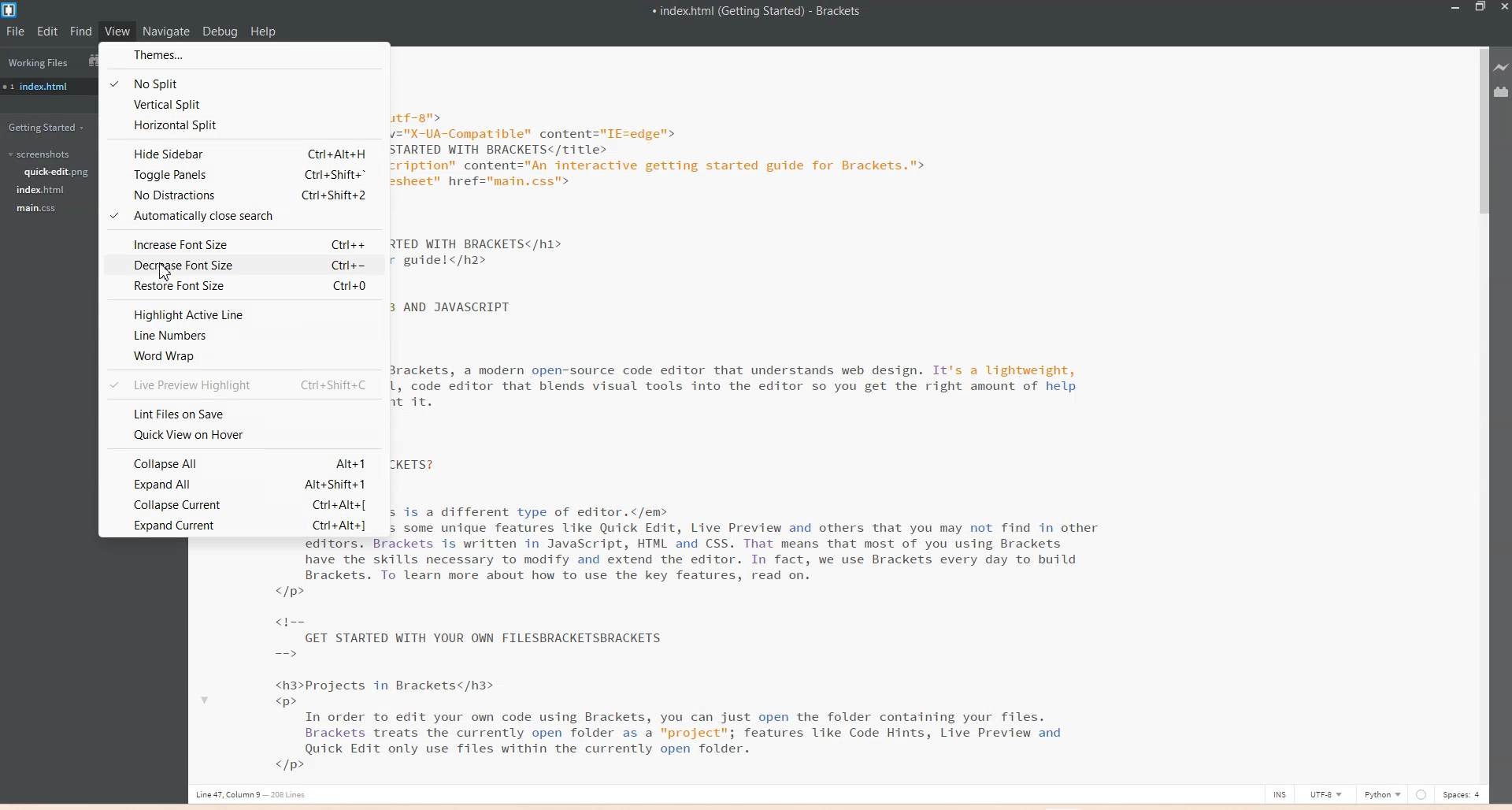 Image resolution: width=1512 pixels, height=810 pixels. Describe the element at coordinates (248, 57) in the screenshot. I see `Themes` at that location.